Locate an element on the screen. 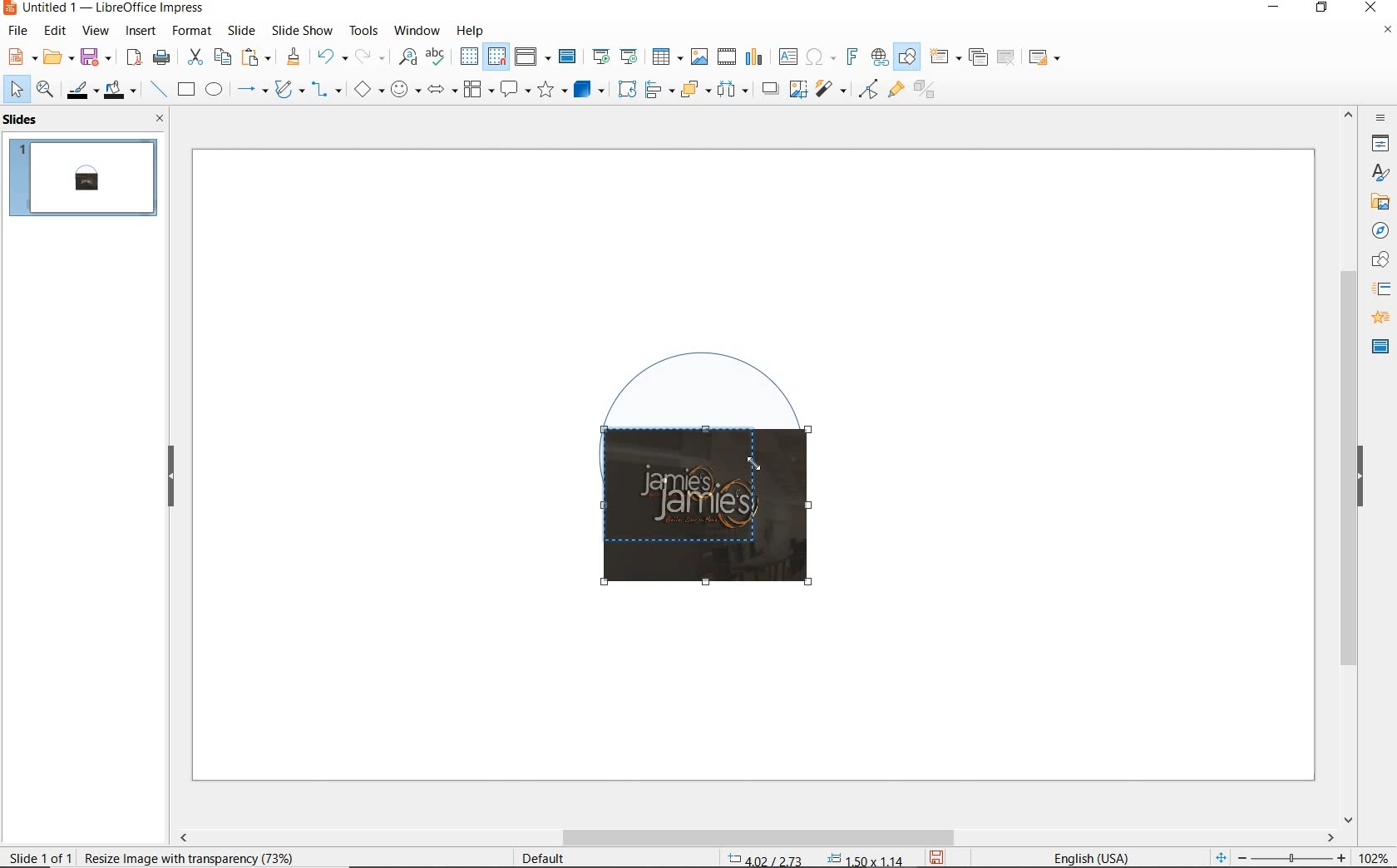 The image size is (1397, 868). display/snap grid is located at coordinates (481, 57).